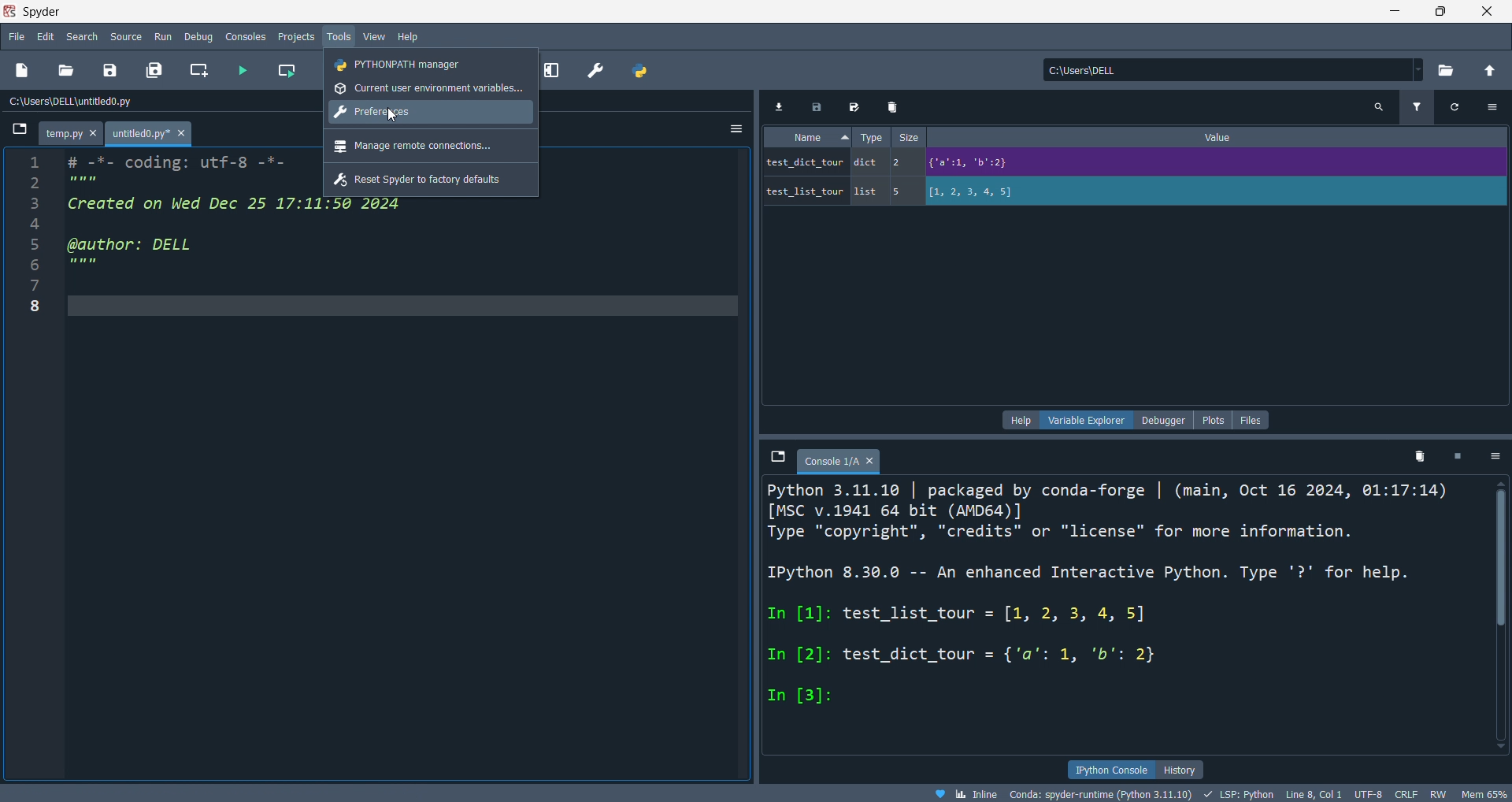 The image size is (1512, 802). I want to click on file, so click(17, 36).